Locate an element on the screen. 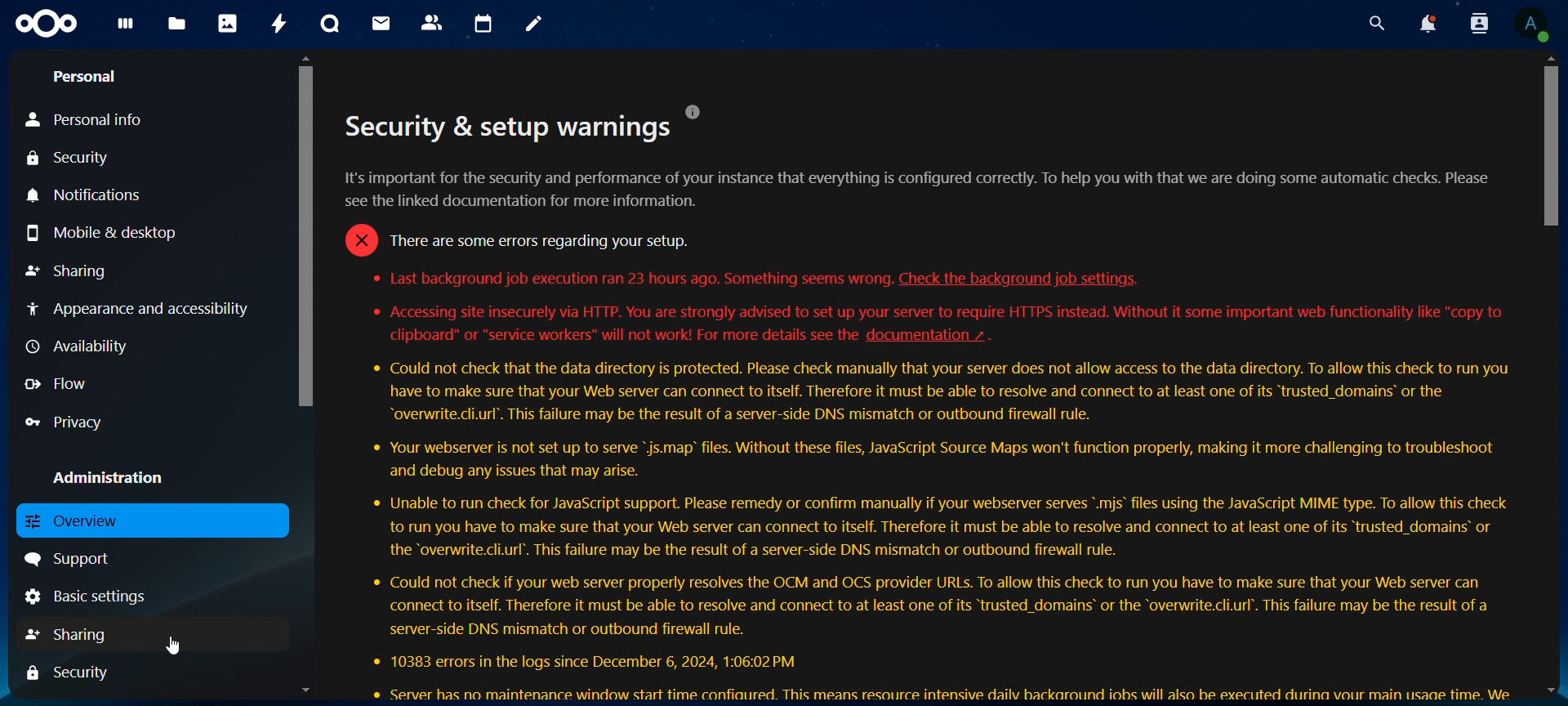 The width and height of the screenshot is (1568, 706). search contacts is located at coordinates (1478, 25).